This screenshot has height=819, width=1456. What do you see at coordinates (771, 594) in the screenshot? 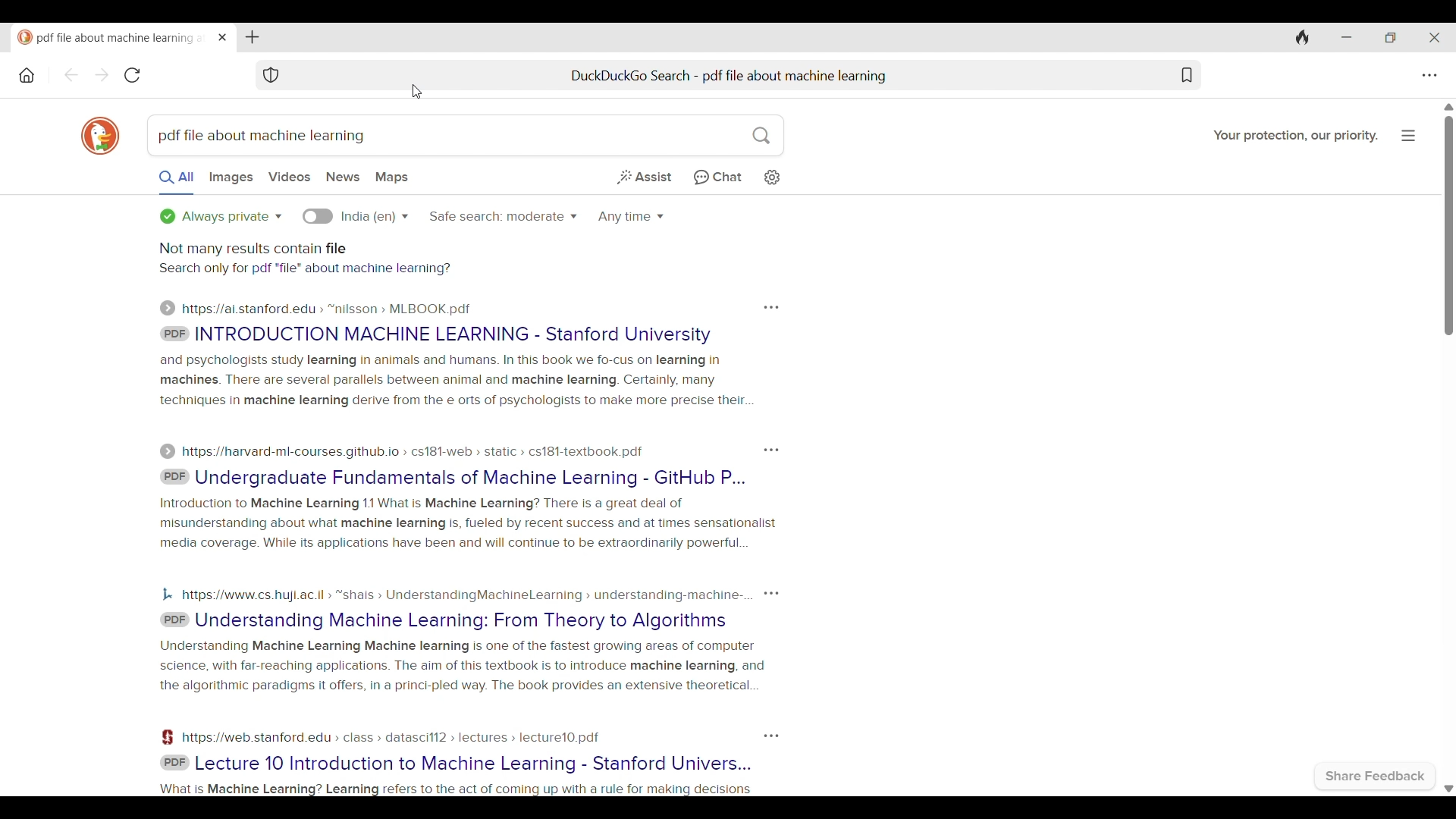
I see `Feedback loop of respective result` at bounding box center [771, 594].